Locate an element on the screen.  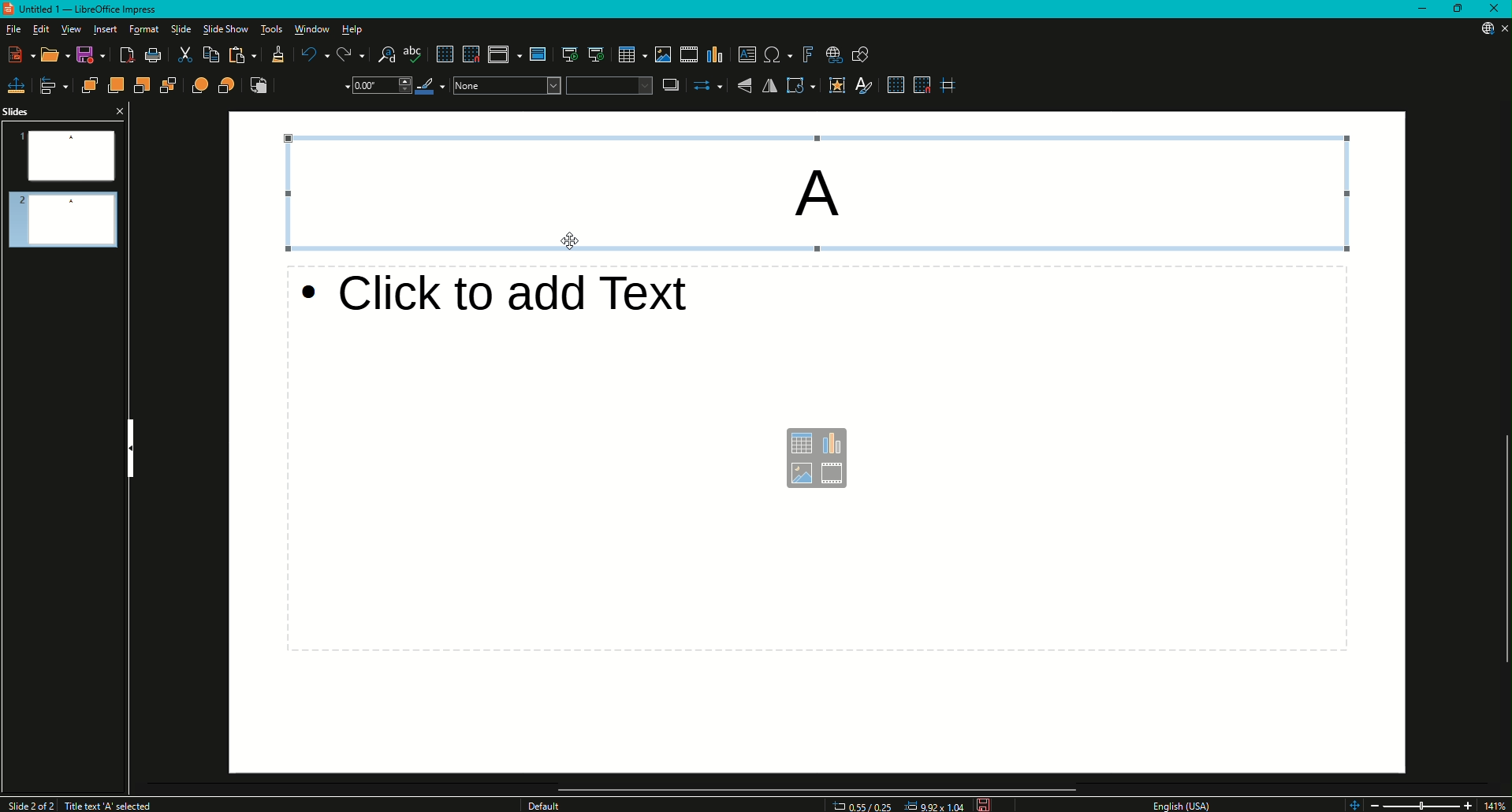
Redo is located at coordinates (345, 52).